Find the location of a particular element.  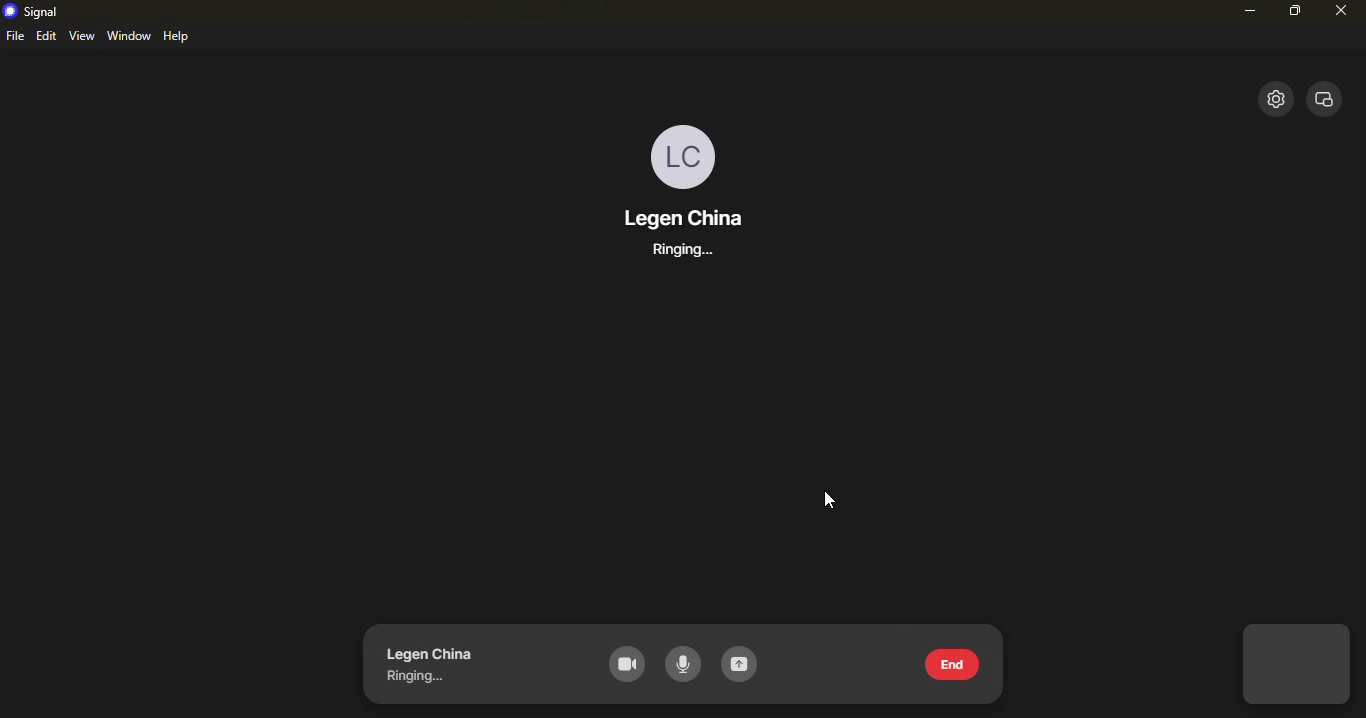

ringing... is located at coordinates (671, 251).